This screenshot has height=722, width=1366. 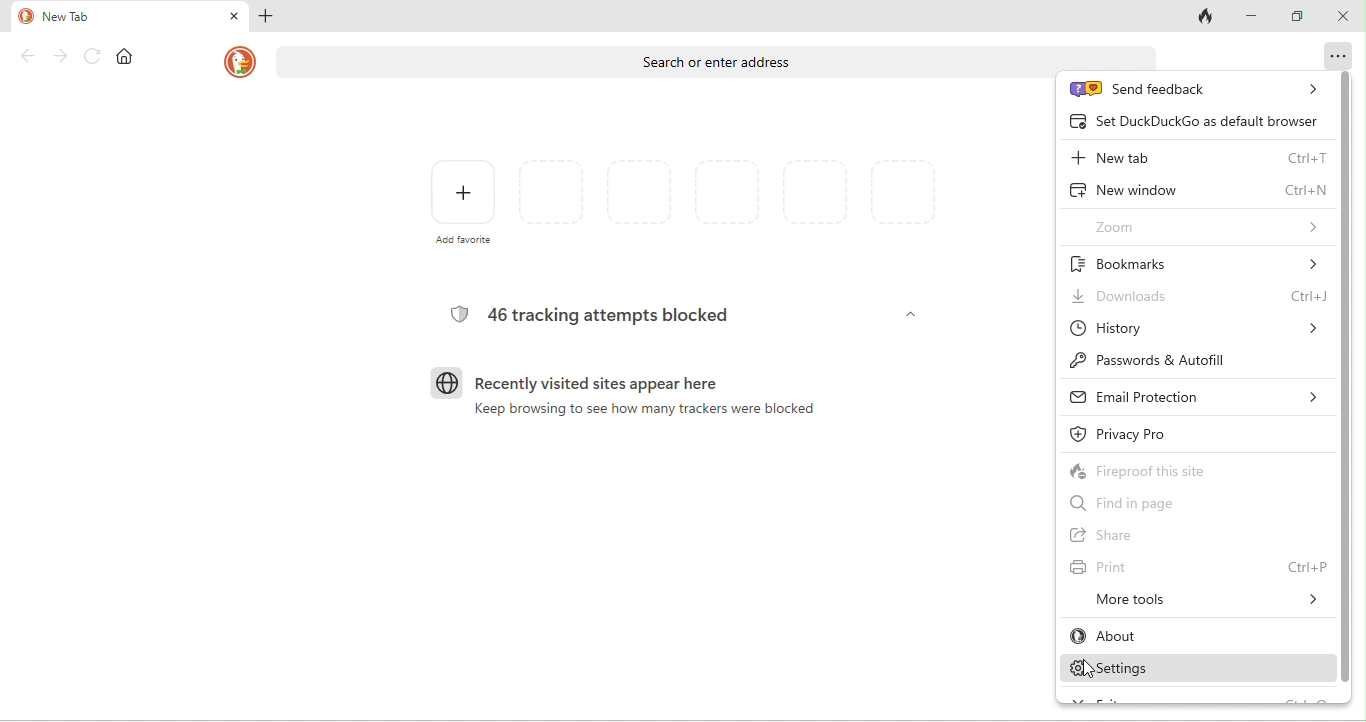 I want to click on set duck duck go as default browser, so click(x=1194, y=119).